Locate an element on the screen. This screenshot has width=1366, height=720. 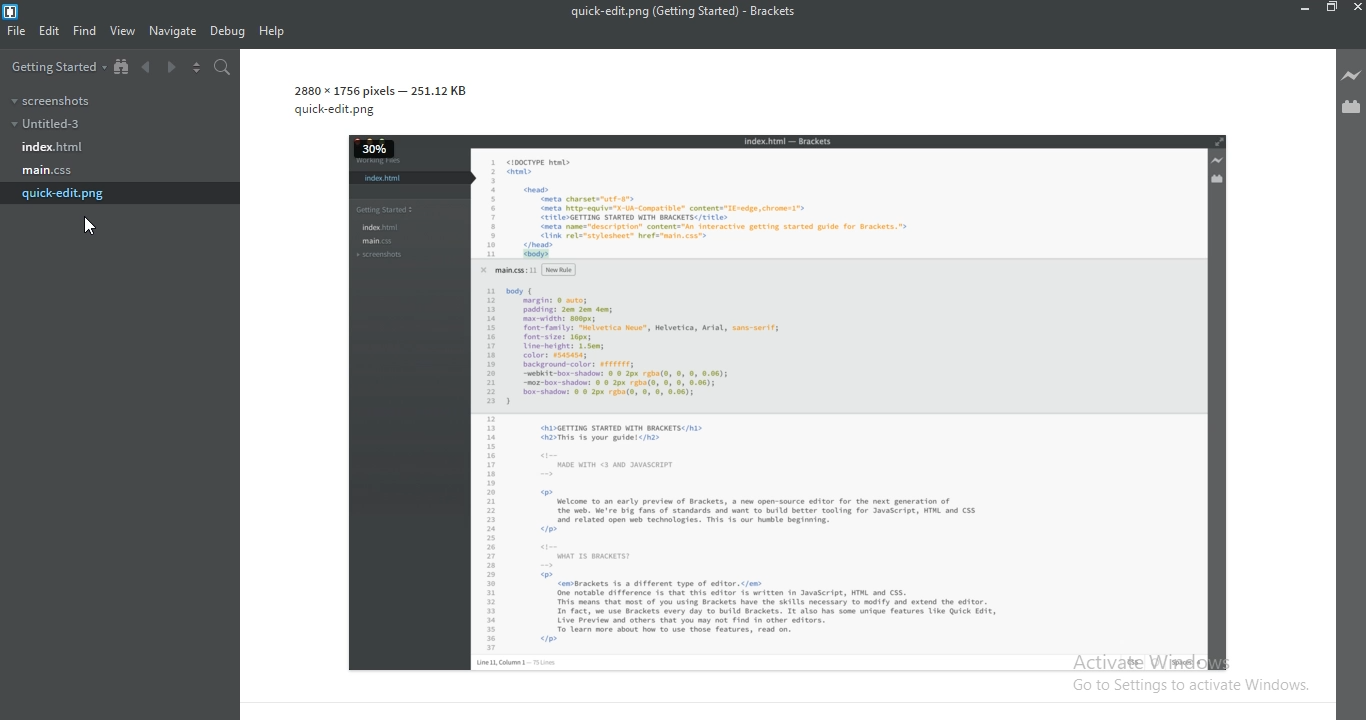
backward is located at coordinates (148, 69).